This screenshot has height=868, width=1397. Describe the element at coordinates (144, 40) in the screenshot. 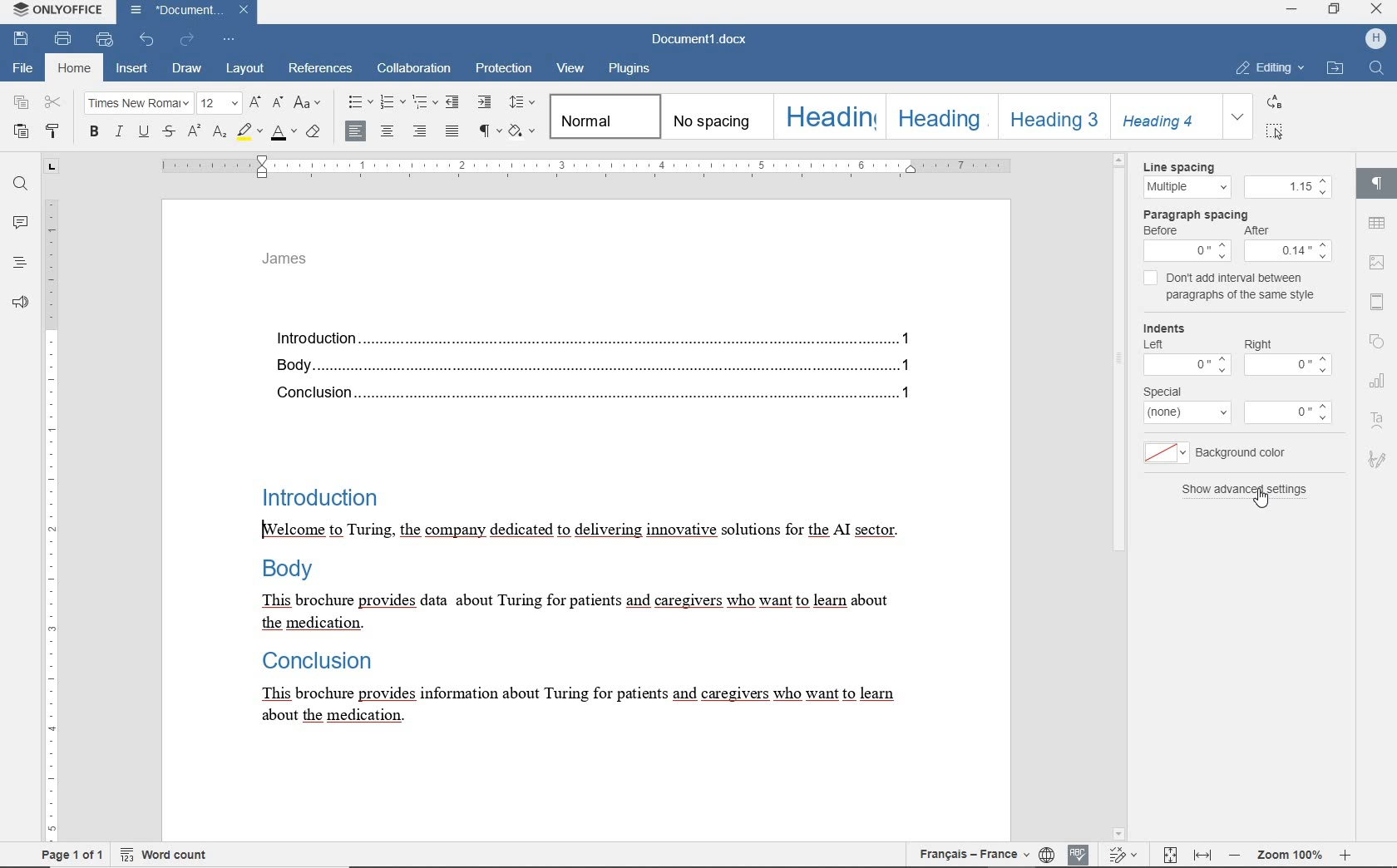

I see `undo` at that location.